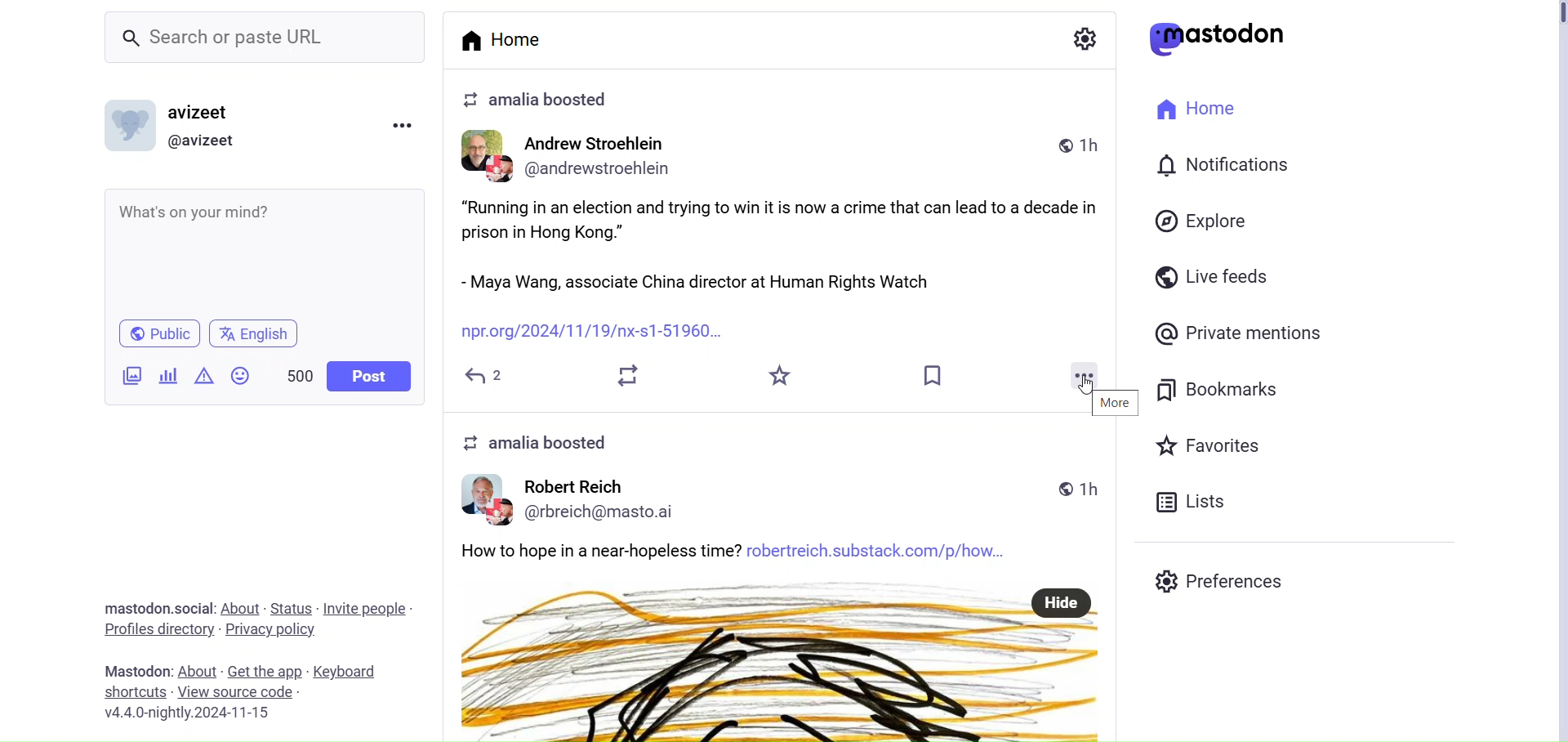  I want to click on Add Images, so click(131, 378).